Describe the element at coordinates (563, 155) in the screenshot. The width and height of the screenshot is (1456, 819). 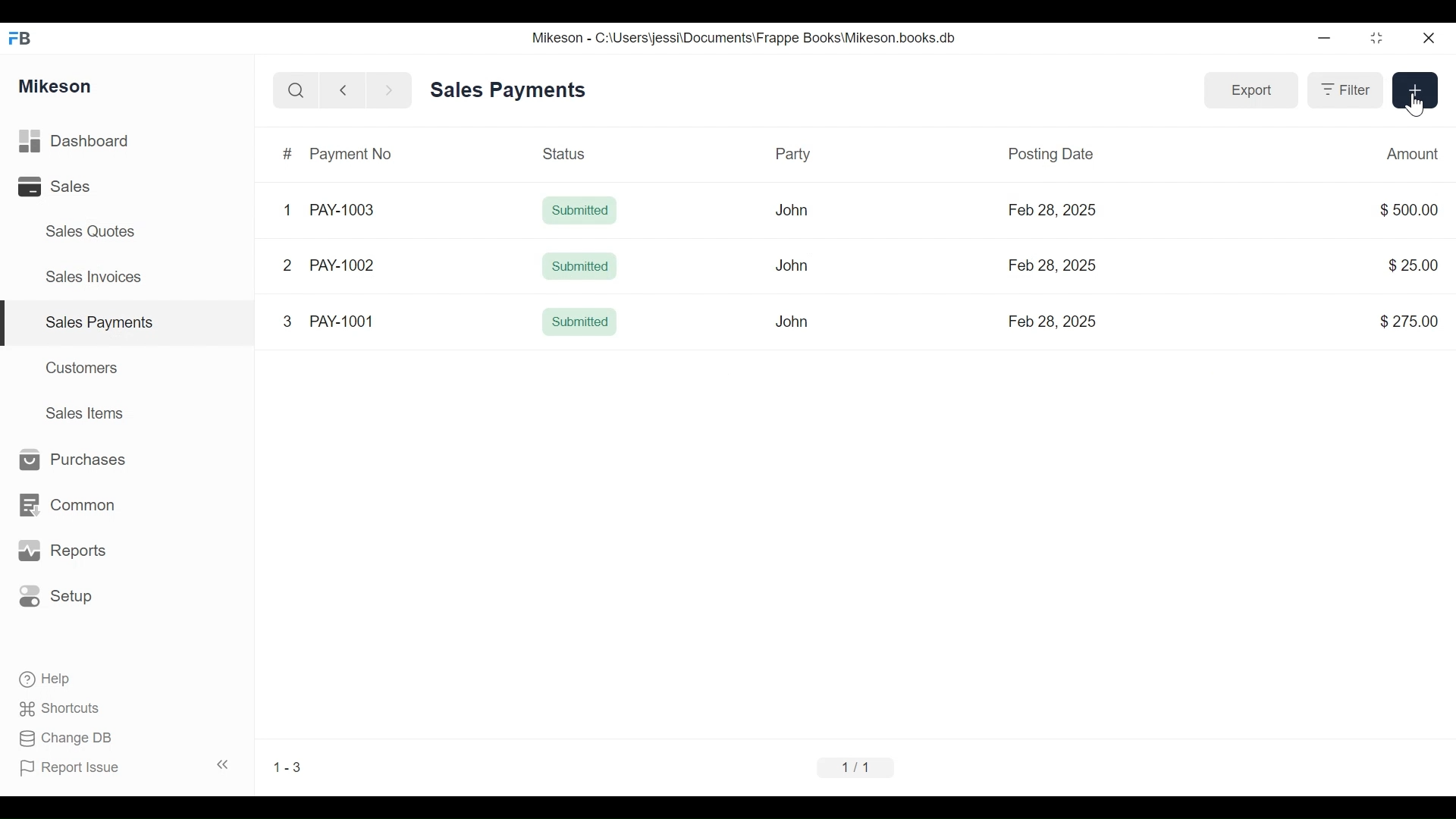
I see `Status` at that location.